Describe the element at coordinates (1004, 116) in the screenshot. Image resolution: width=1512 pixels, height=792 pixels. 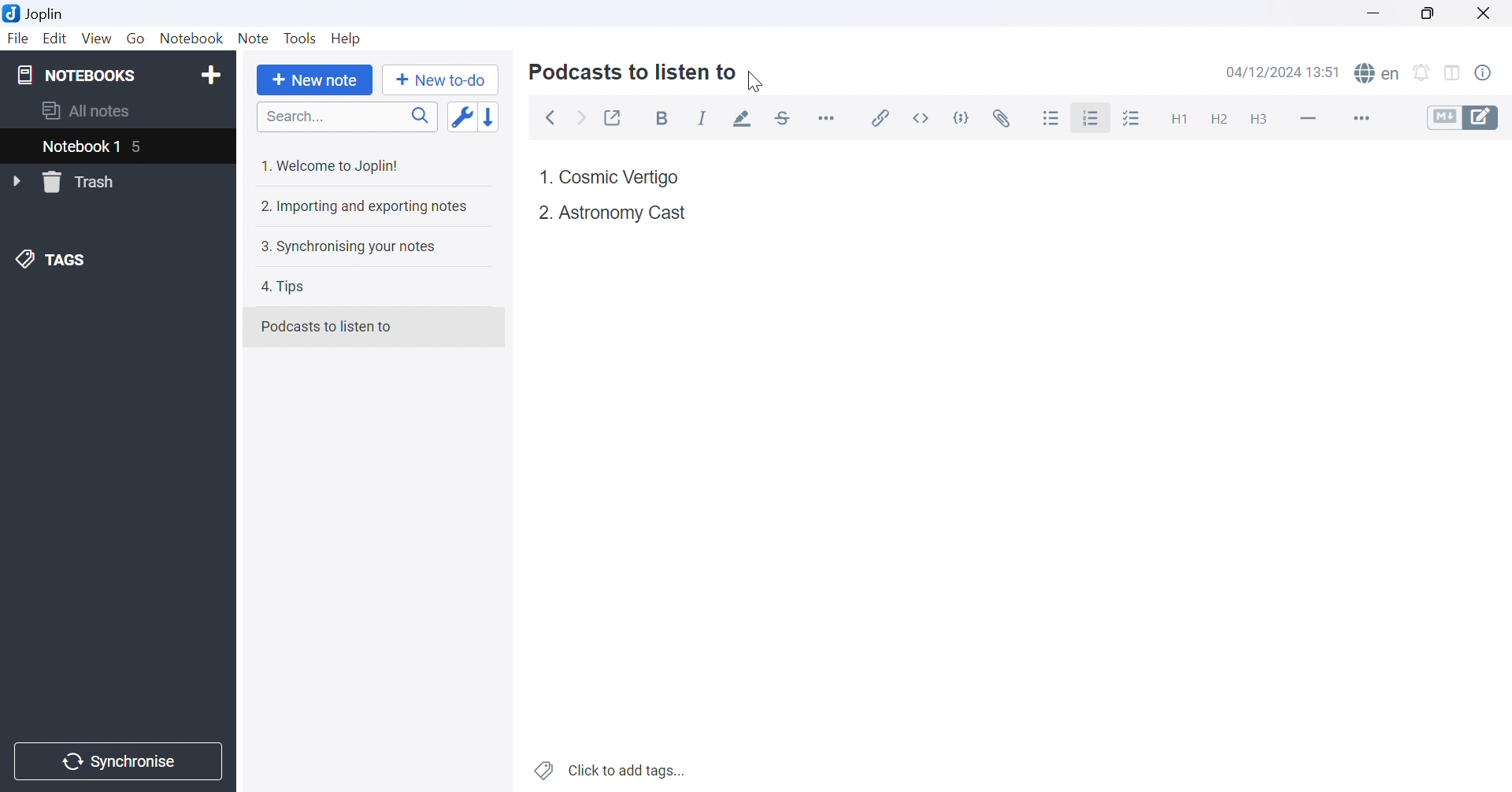
I see `Attach file` at that location.